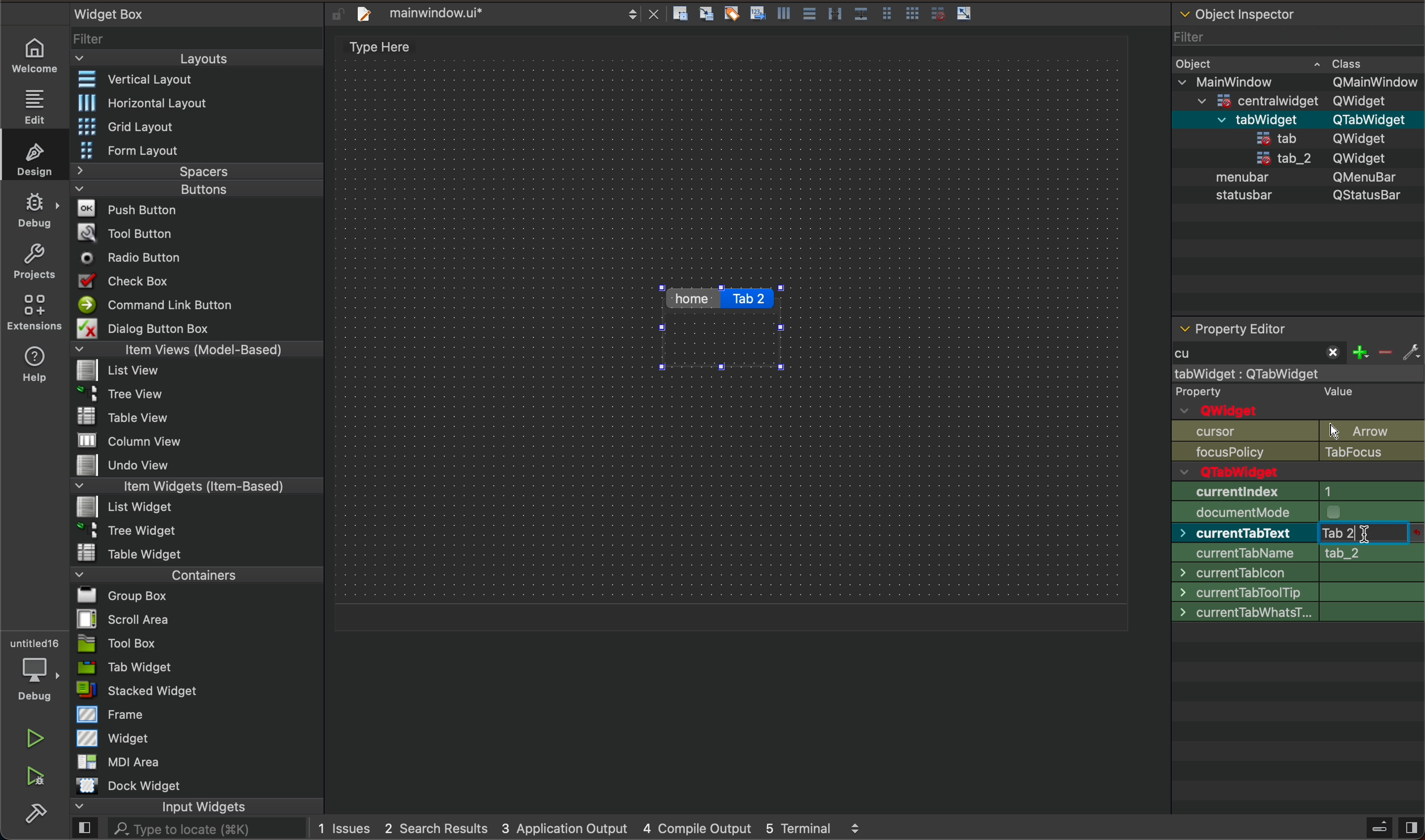  I want to click on palette, so click(1299, 610).